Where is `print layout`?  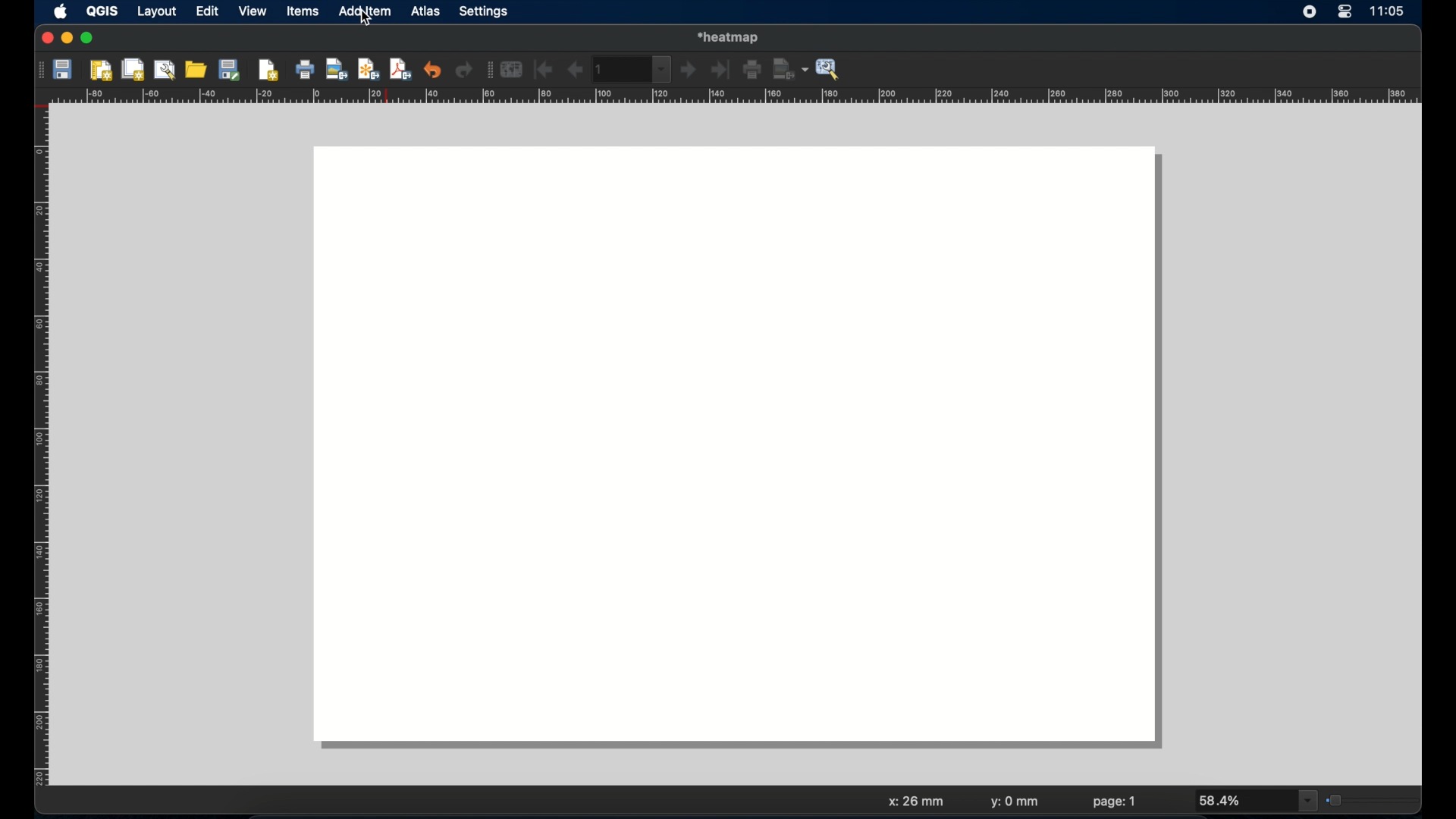 print layout is located at coordinates (306, 71).